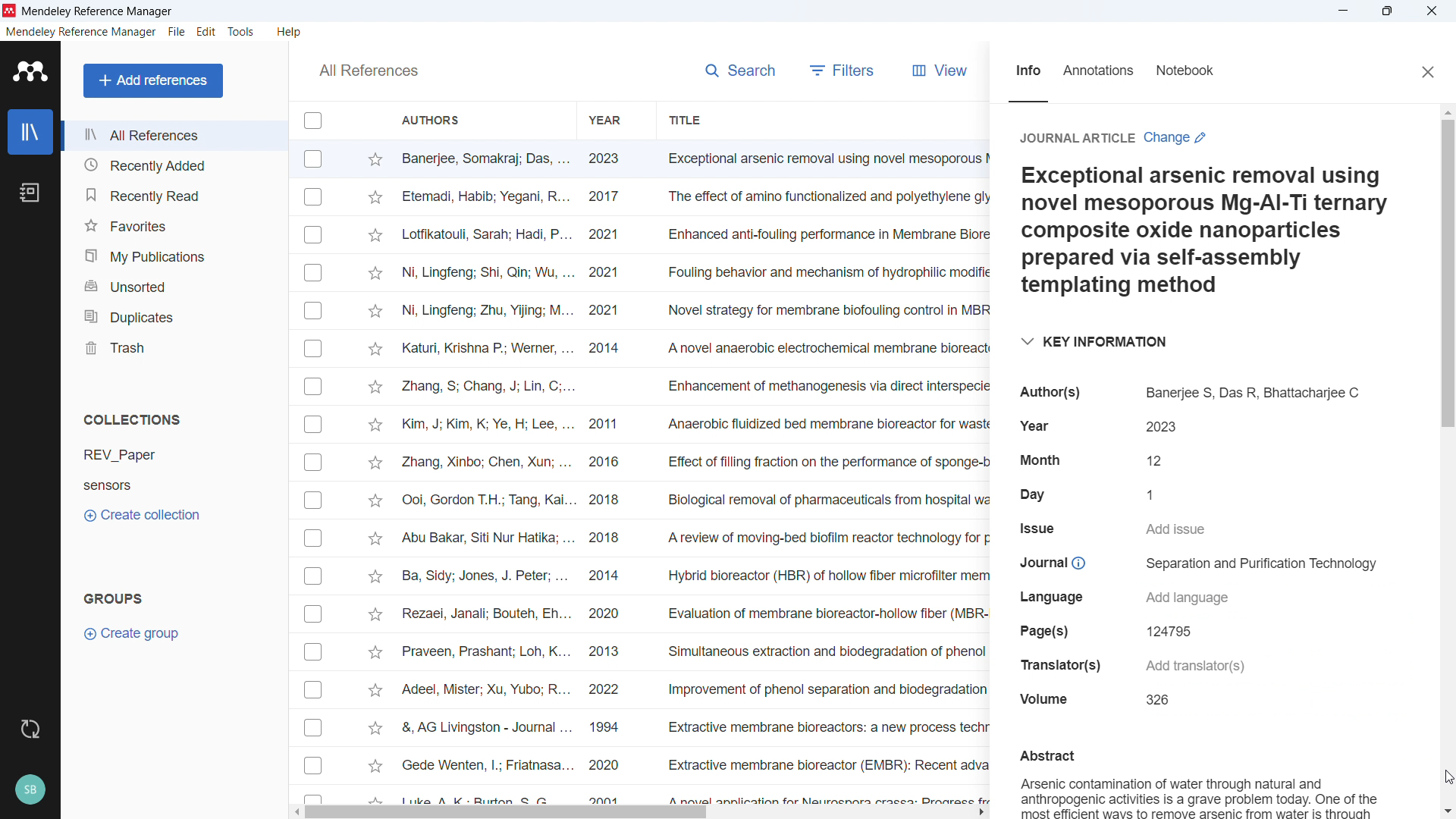  I want to click on Recently added , so click(172, 165).